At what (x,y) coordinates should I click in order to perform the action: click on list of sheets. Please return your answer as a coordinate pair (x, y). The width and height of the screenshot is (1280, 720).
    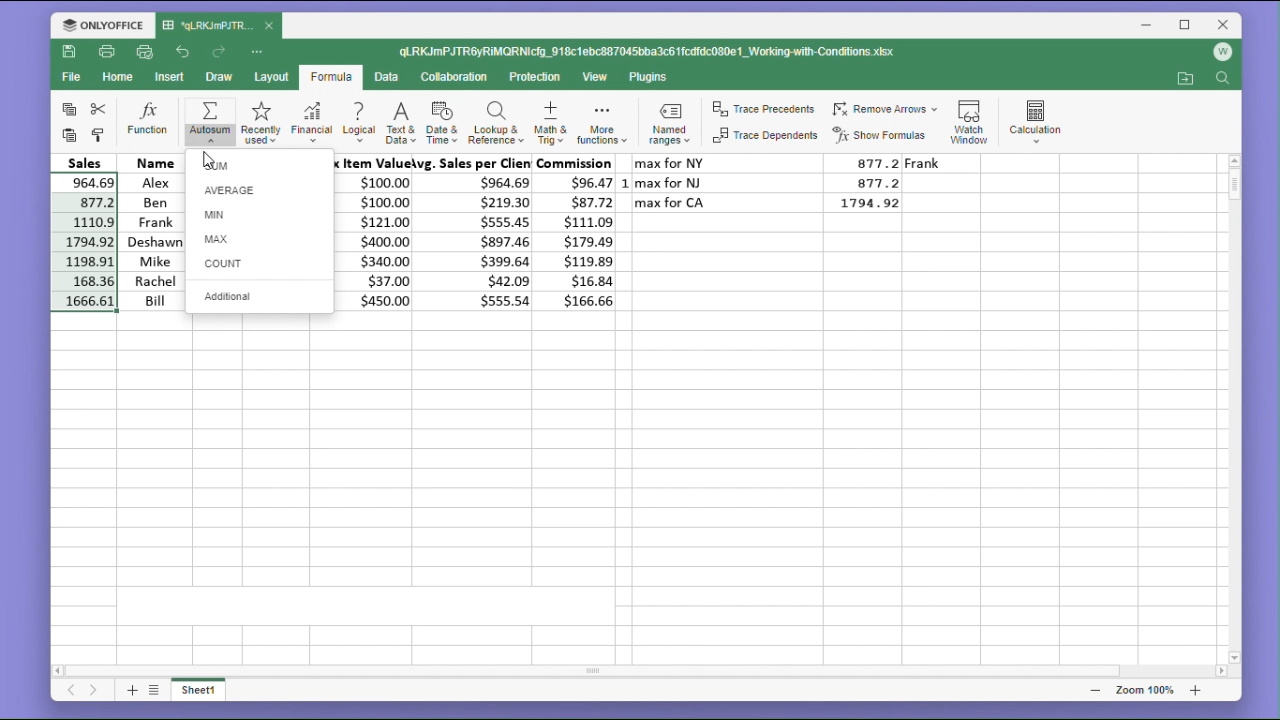
    Looking at the image, I should click on (157, 689).